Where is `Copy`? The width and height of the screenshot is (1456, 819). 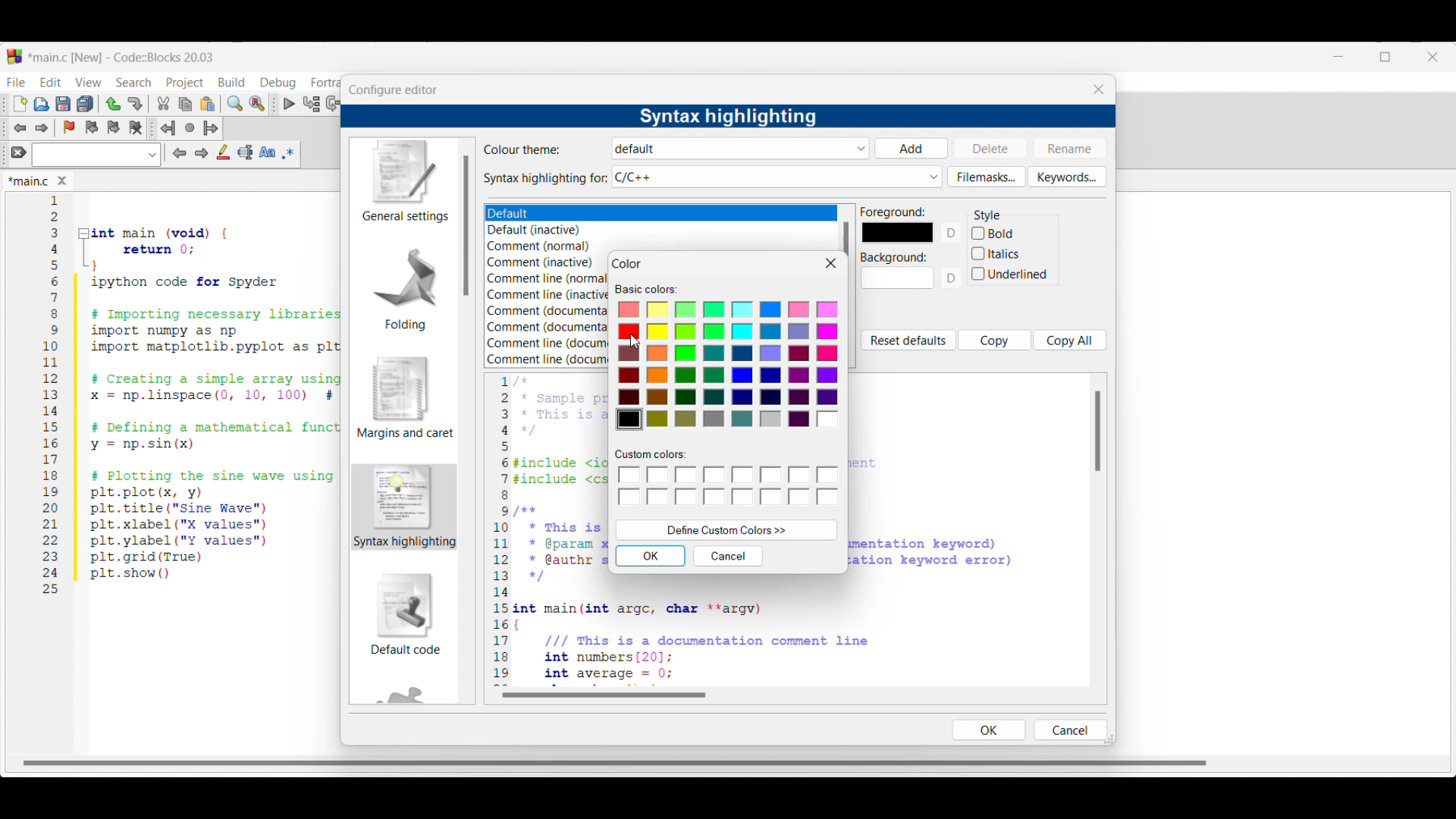
Copy is located at coordinates (995, 340).